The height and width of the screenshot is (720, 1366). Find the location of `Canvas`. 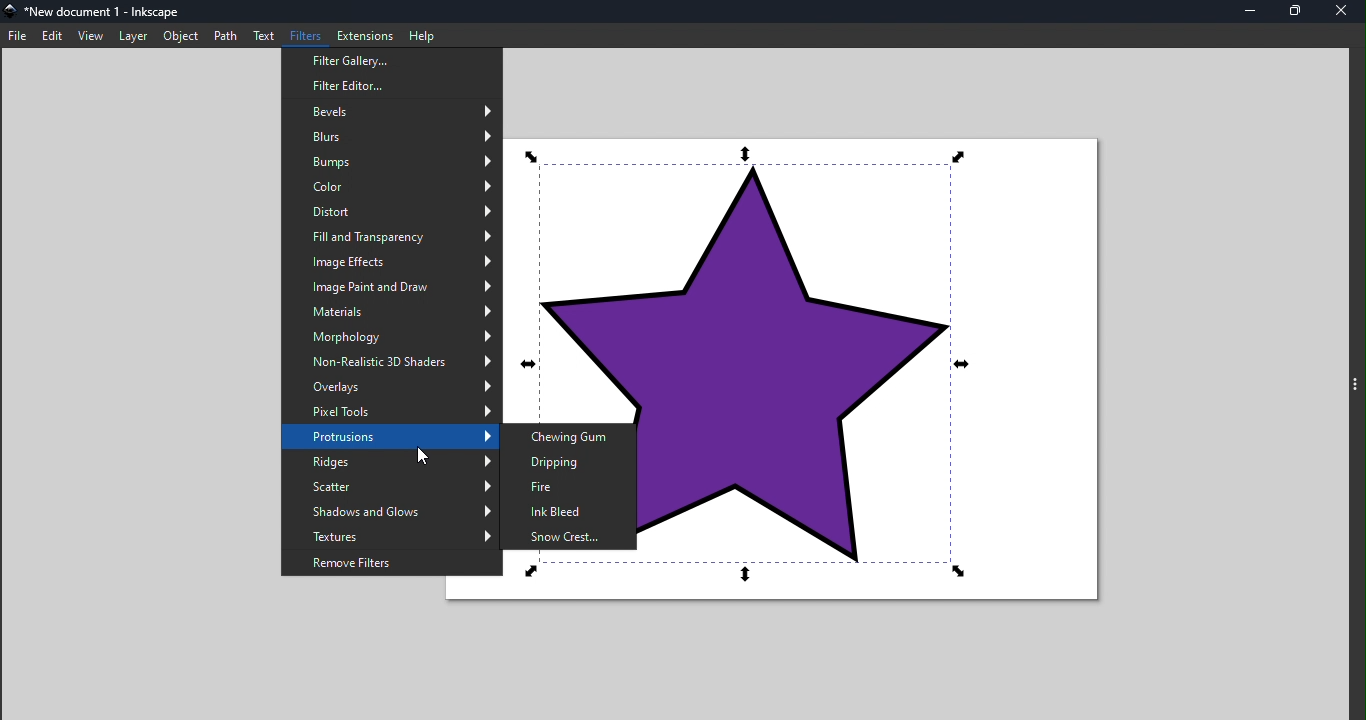

Canvas is located at coordinates (886, 377).